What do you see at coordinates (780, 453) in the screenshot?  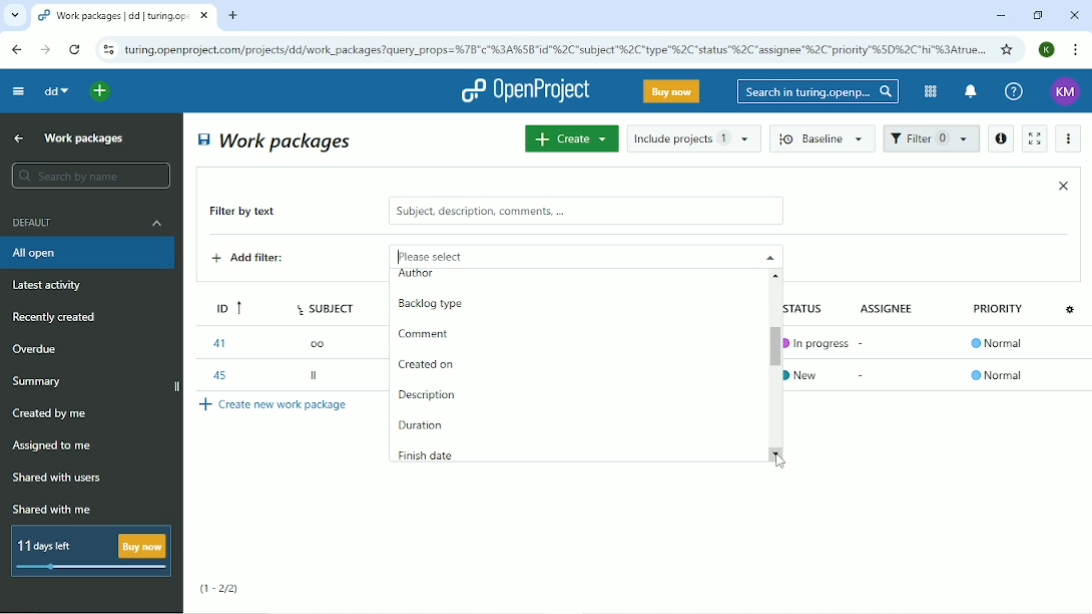 I see `scroll down` at bounding box center [780, 453].